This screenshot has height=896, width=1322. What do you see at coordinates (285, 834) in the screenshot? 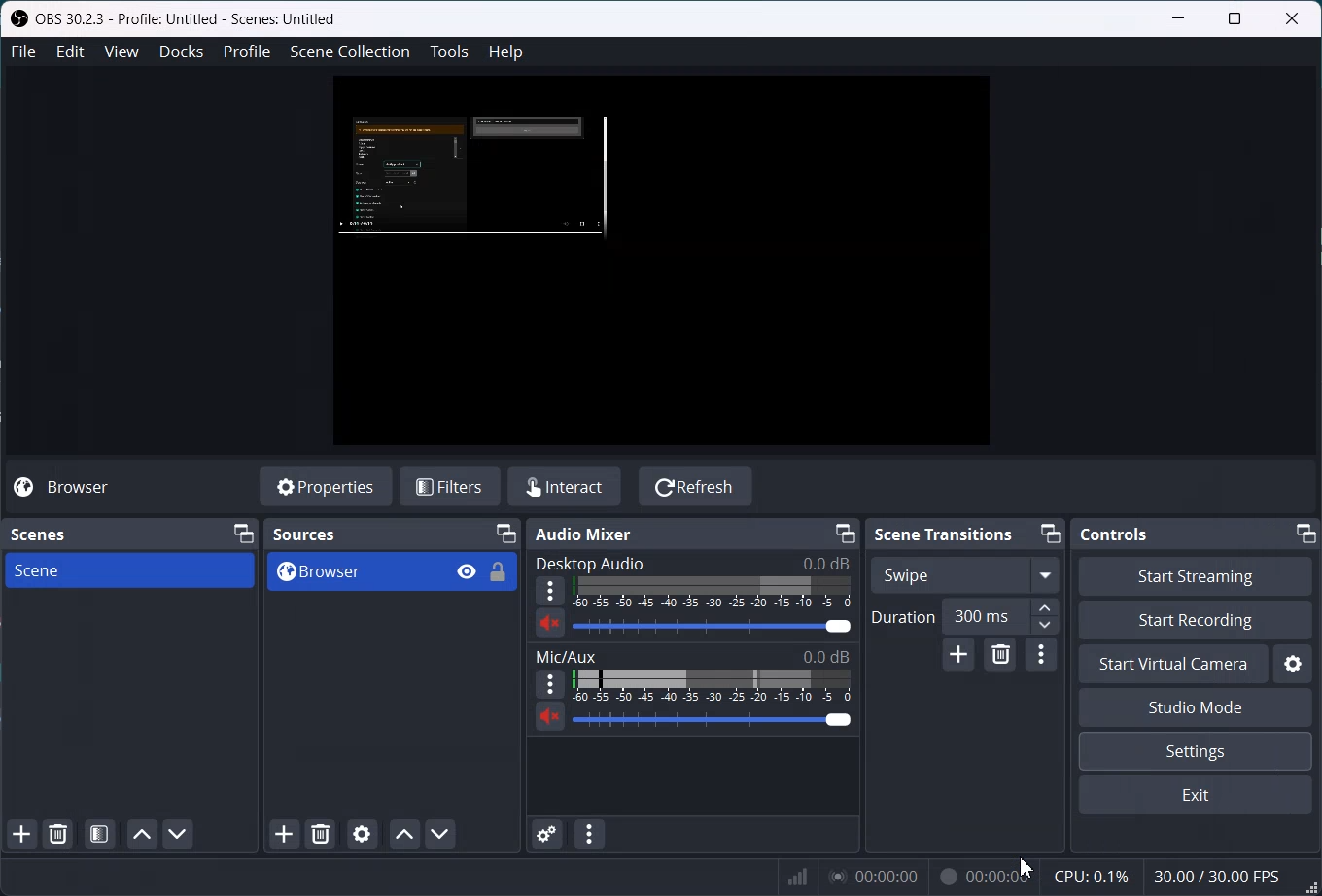
I see `Add Sources` at bounding box center [285, 834].